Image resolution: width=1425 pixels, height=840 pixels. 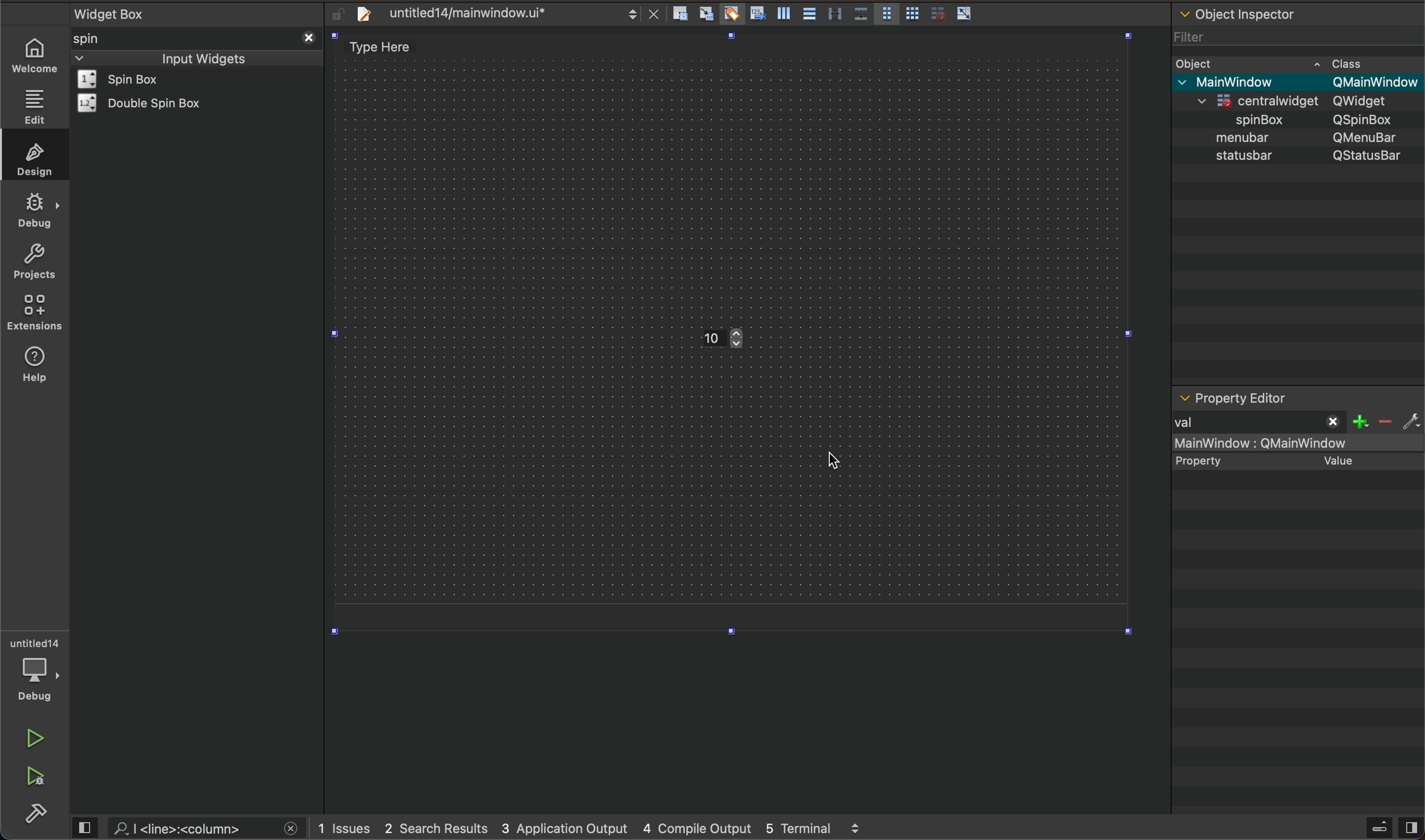 I want to click on WELCOME, so click(x=36, y=56).